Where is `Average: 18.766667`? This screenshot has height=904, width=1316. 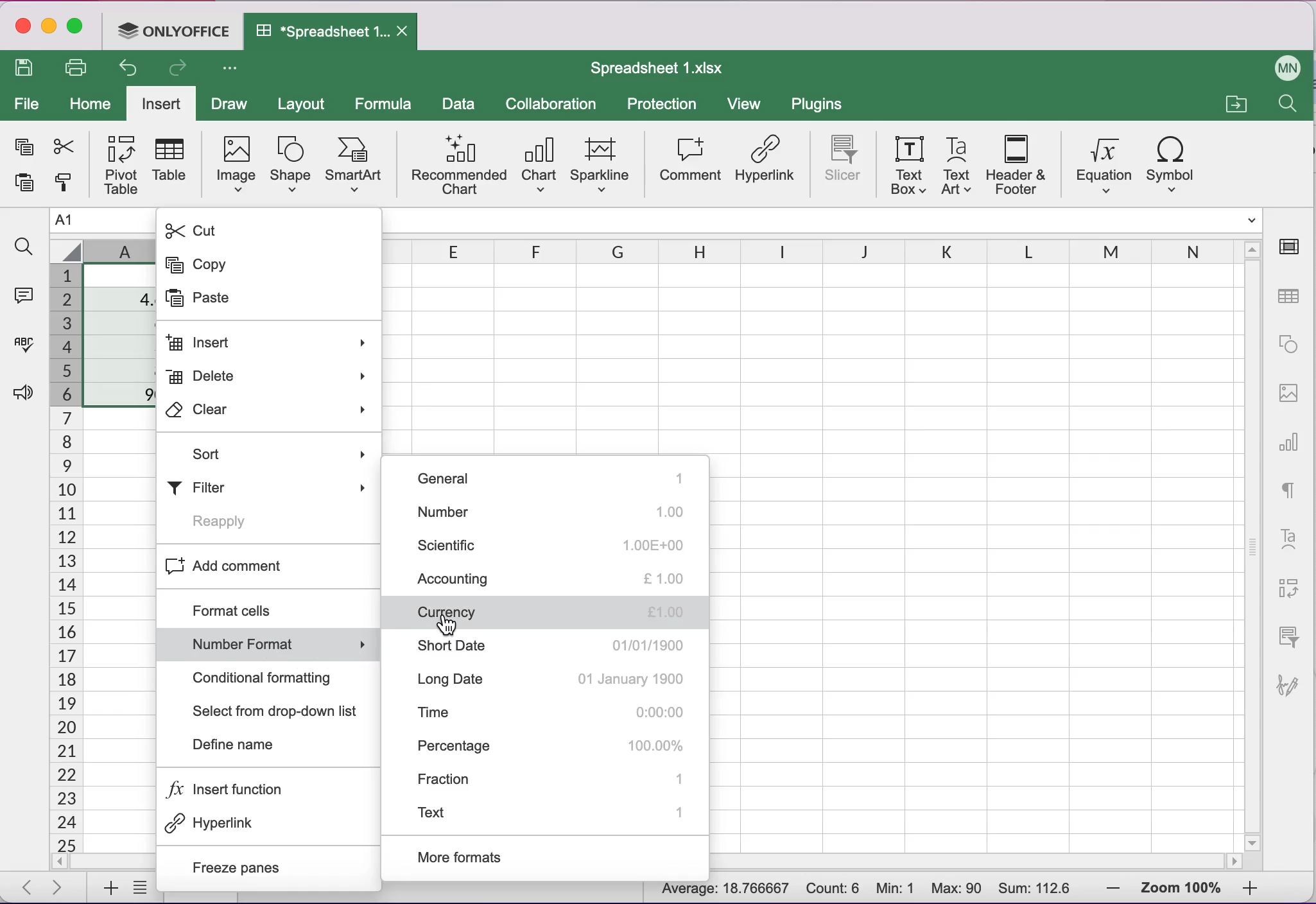 Average: 18.766667 is located at coordinates (719, 892).